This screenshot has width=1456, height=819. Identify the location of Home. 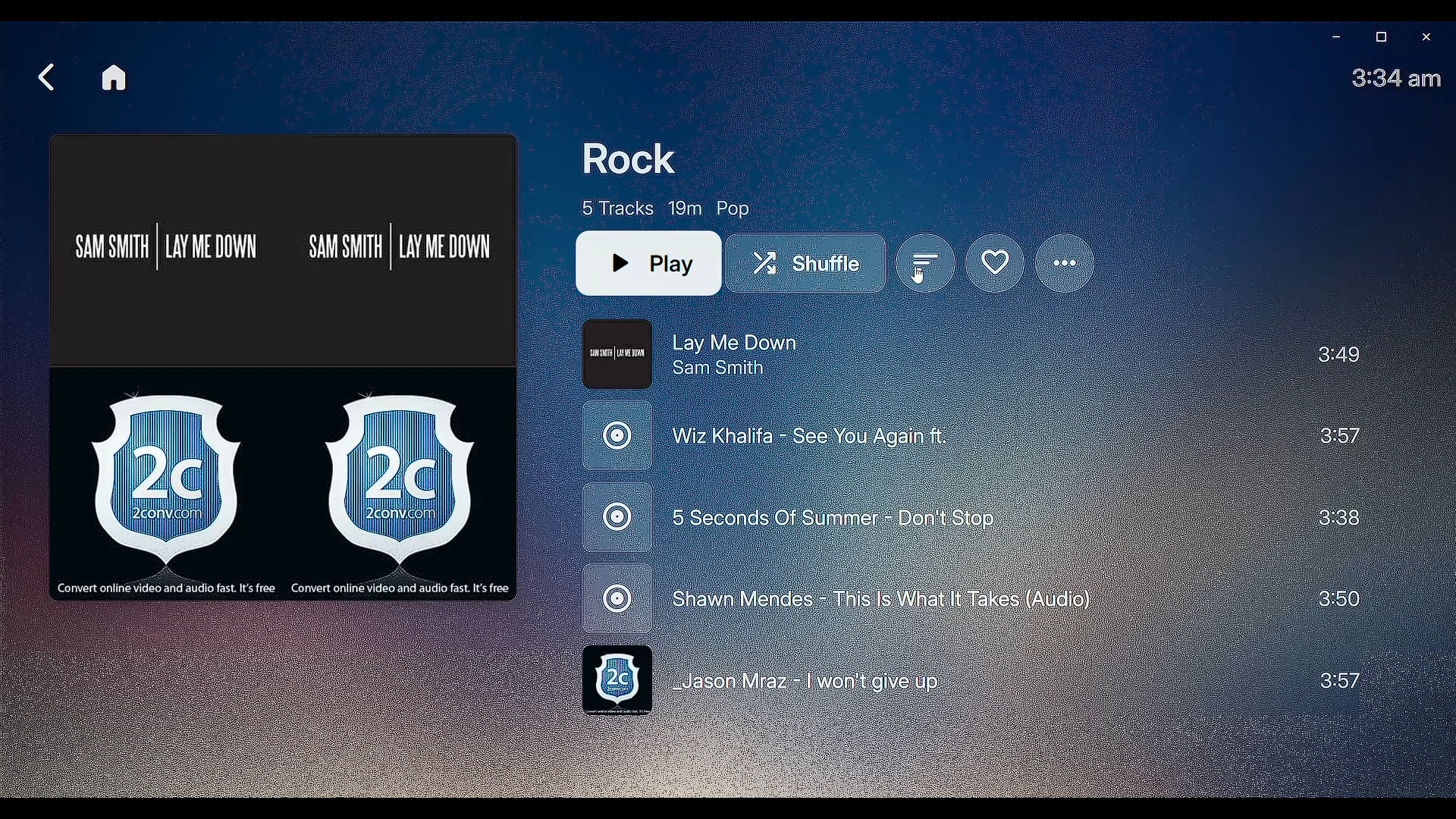
(115, 77).